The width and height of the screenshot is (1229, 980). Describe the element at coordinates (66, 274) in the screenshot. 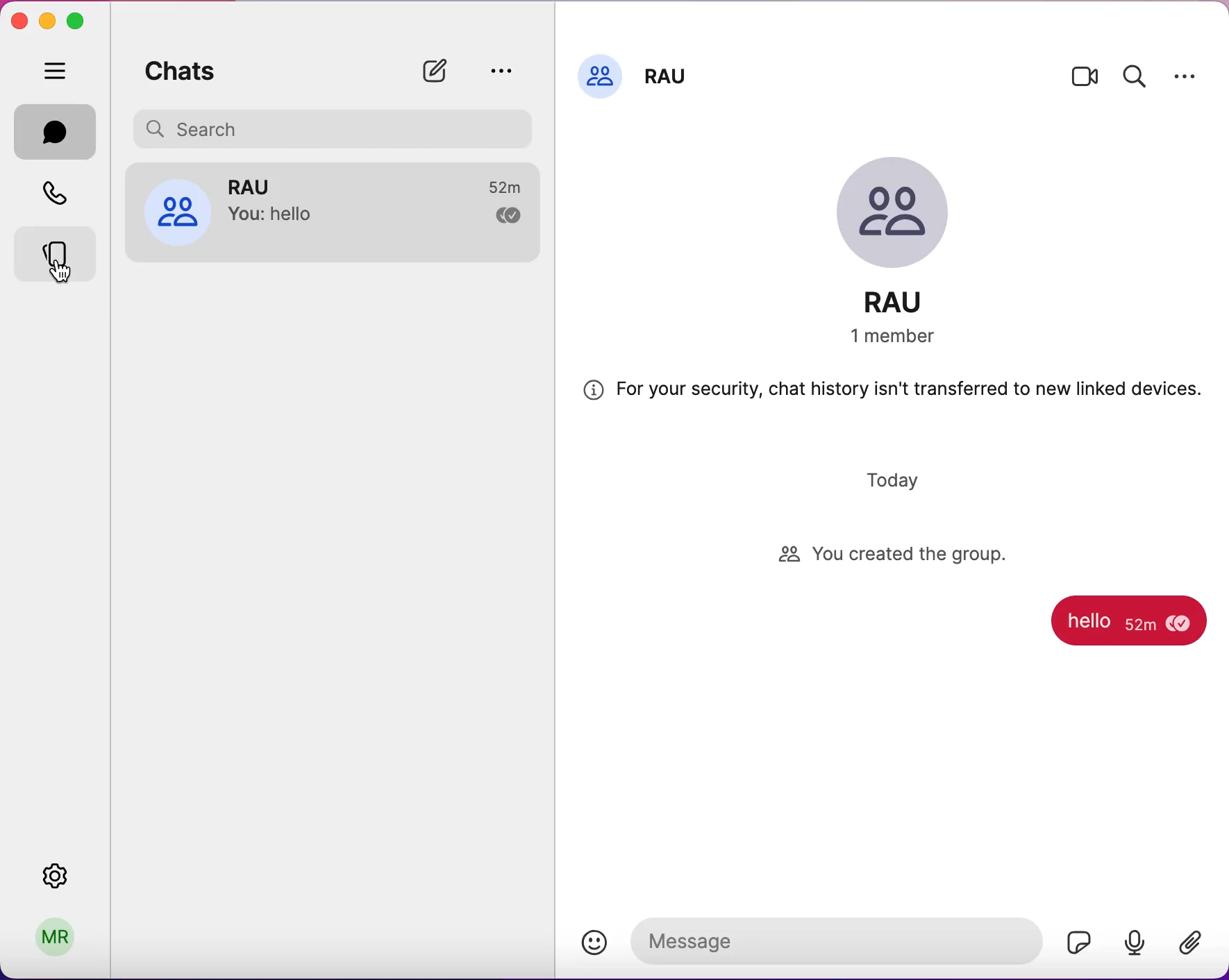

I see `cursor` at that location.